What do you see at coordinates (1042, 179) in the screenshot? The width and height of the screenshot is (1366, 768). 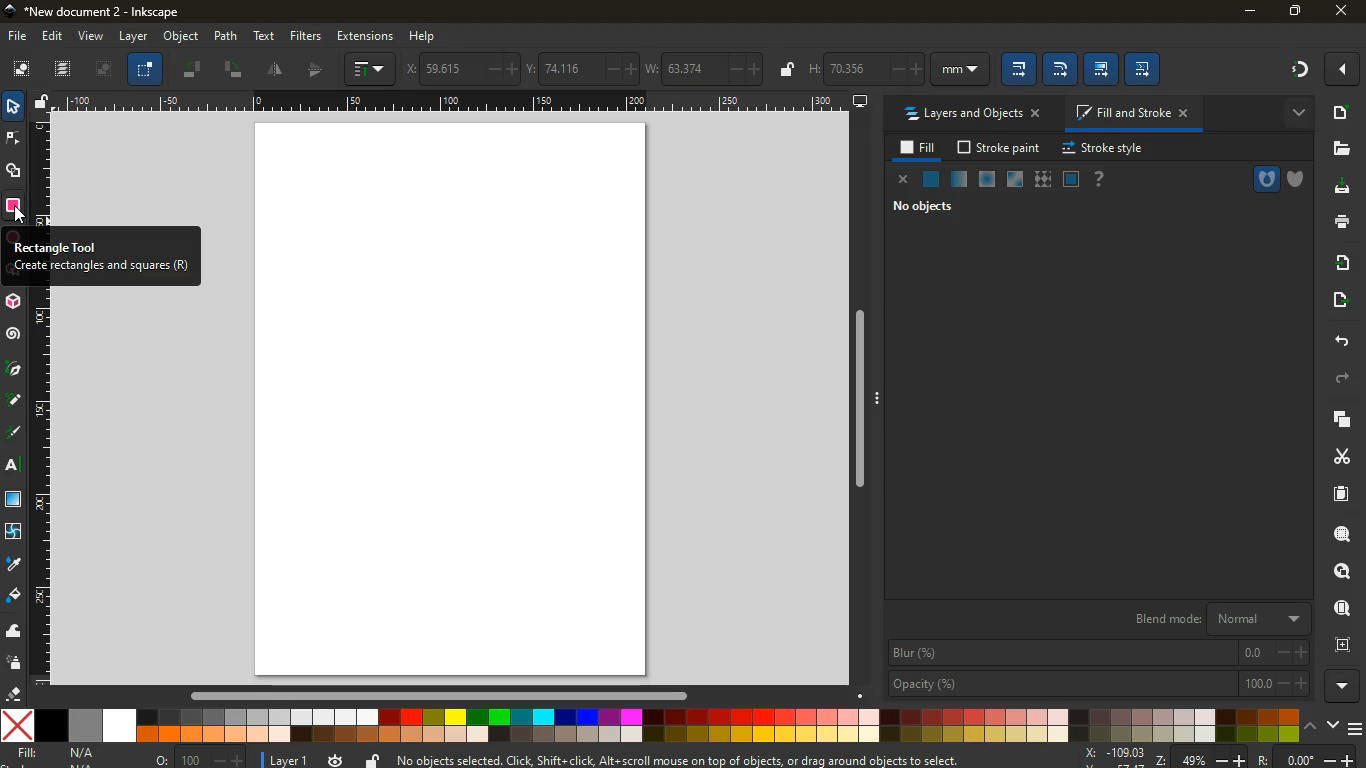 I see `texture` at bounding box center [1042, 179].